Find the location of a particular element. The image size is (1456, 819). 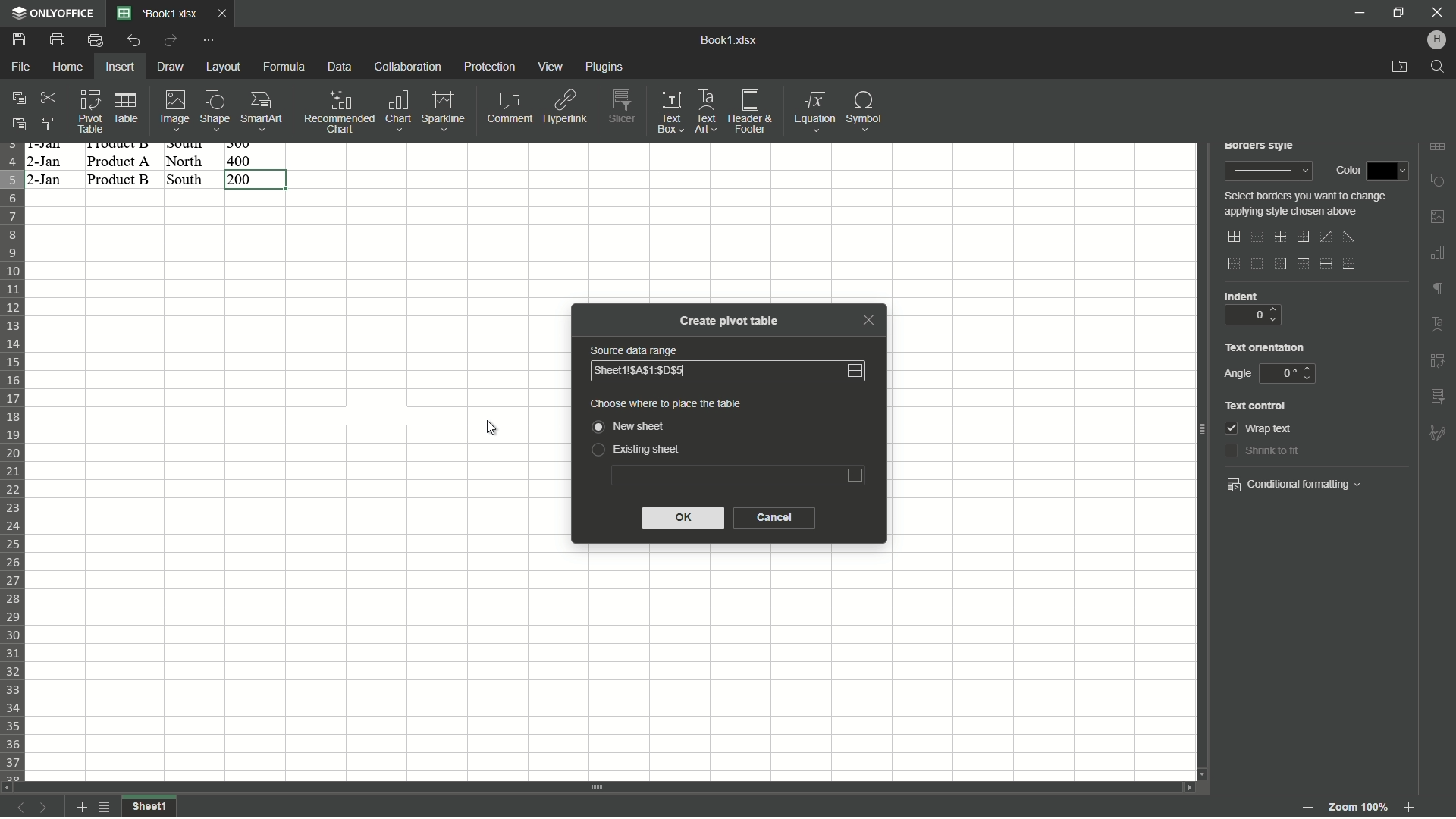

ok is located at coordinates (686, 518).